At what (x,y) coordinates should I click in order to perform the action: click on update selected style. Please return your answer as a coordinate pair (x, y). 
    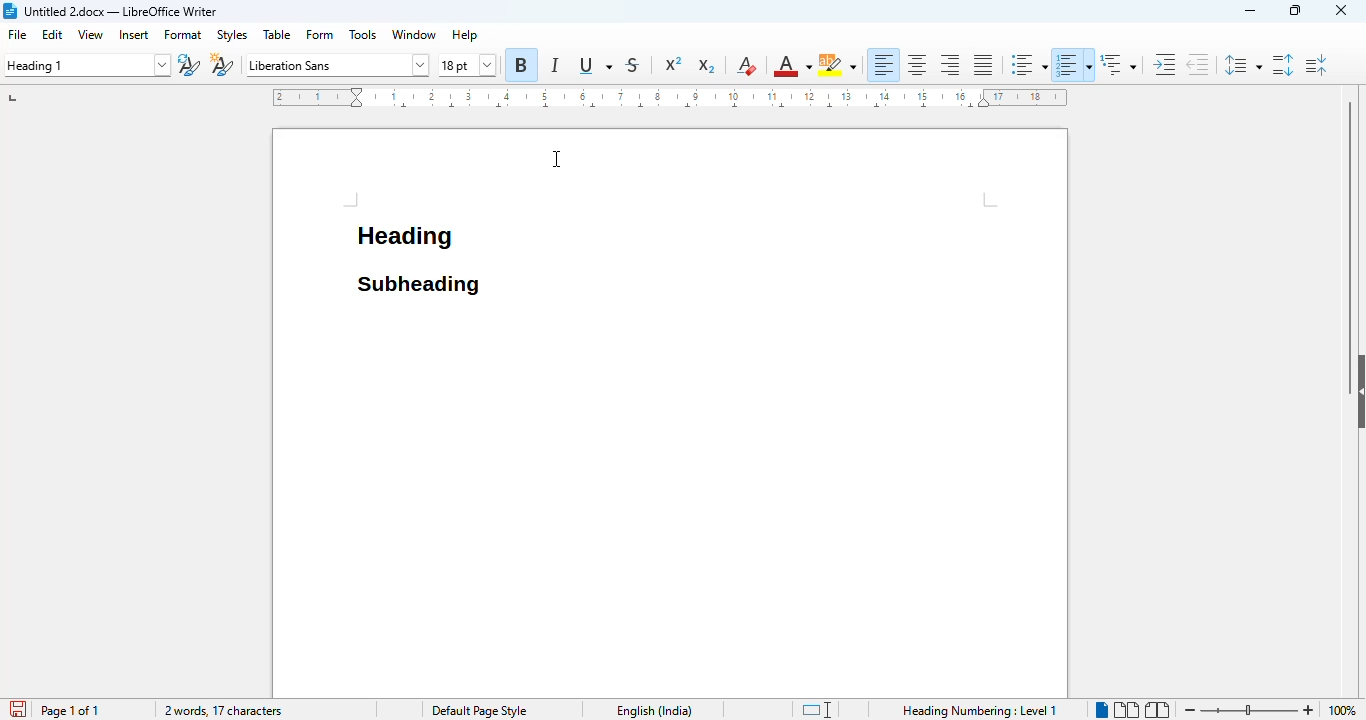
    Looking at the image, I should click on (189, 65).